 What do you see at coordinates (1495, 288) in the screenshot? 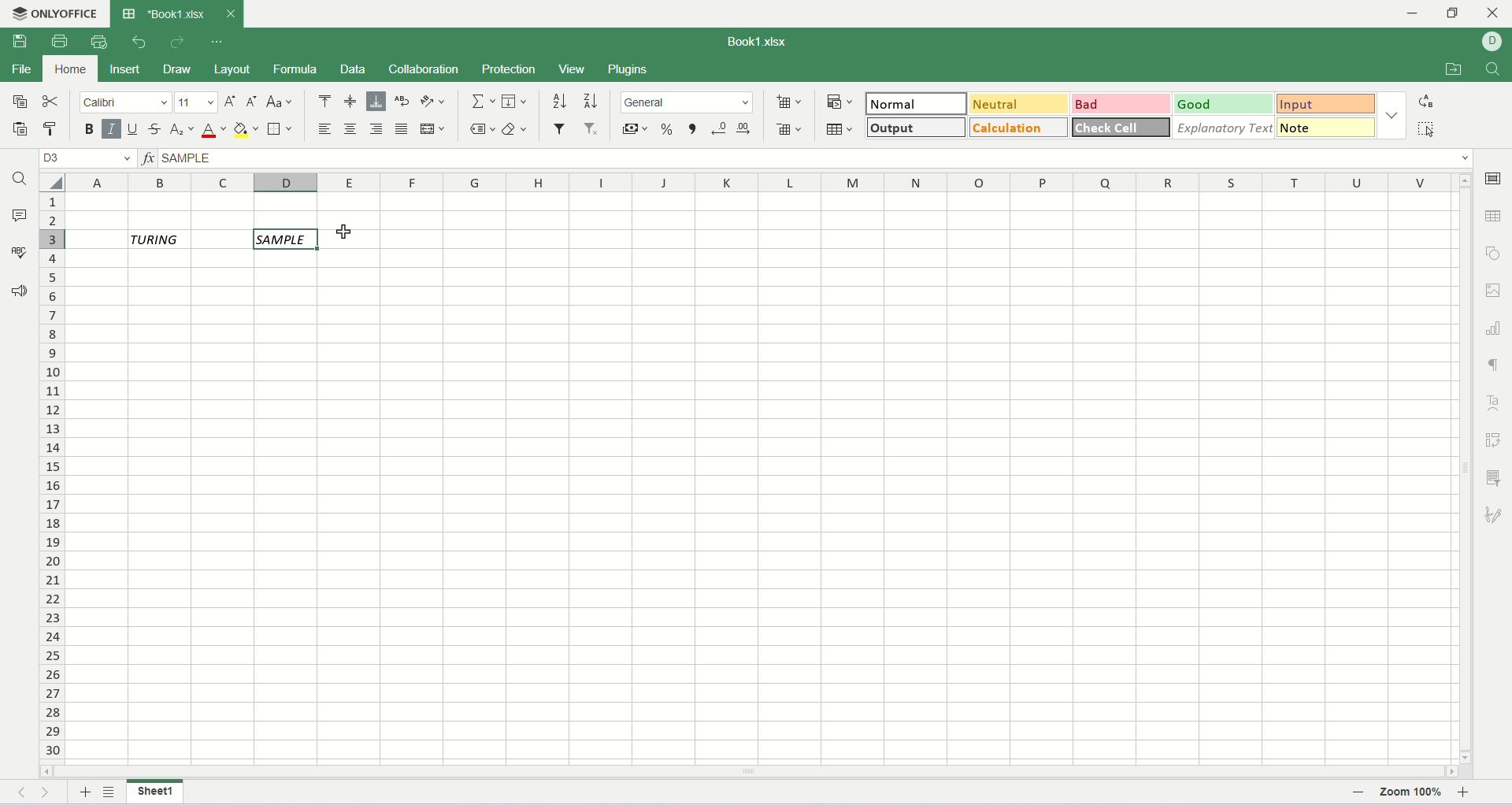
I see `image settings` at bounding box center [1495, 288].